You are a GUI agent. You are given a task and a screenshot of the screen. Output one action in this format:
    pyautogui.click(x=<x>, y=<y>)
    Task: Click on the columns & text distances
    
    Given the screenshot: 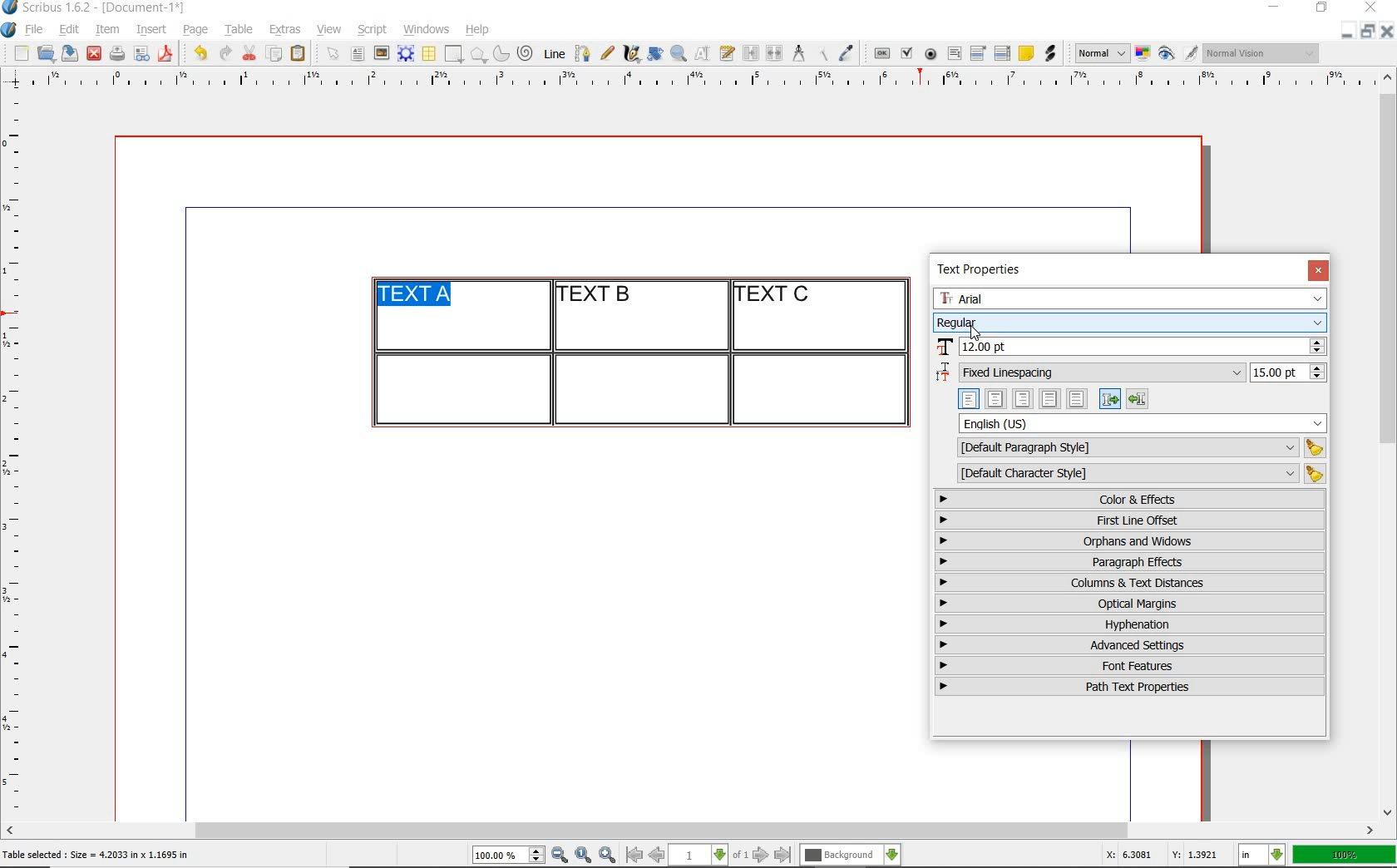 What is the action you would take?
    pyautogui.click(x=1133, y=583)
    